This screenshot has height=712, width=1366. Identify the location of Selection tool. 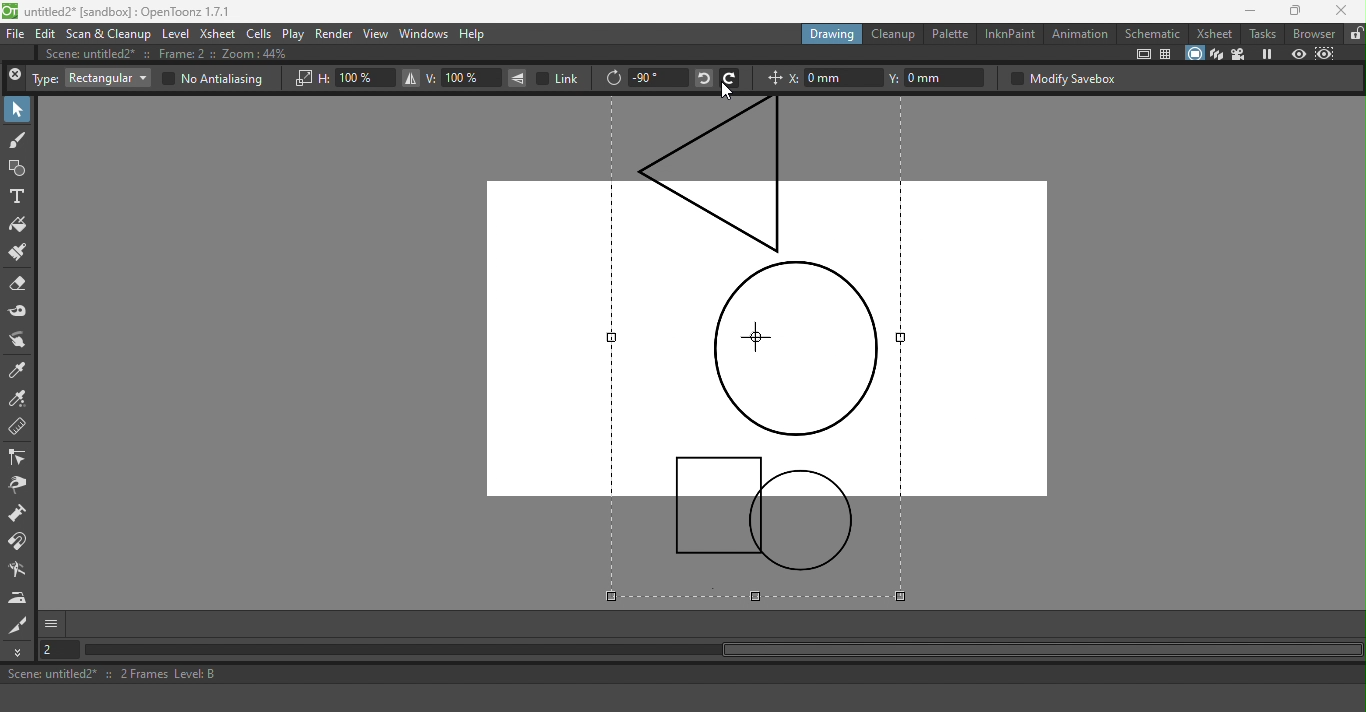
(18, 110).